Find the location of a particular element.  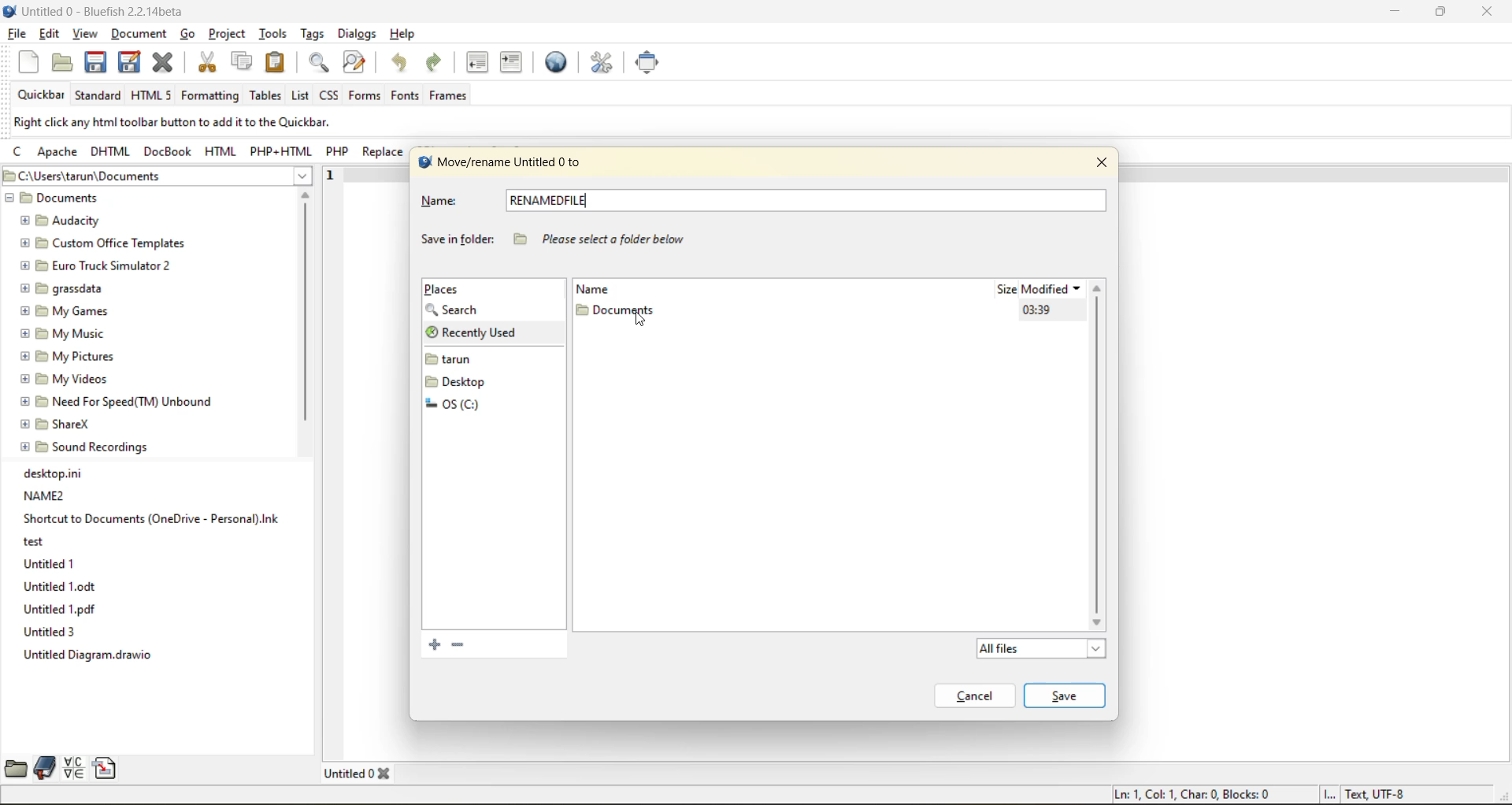

file name and app name is located at coordinates (121, 14).